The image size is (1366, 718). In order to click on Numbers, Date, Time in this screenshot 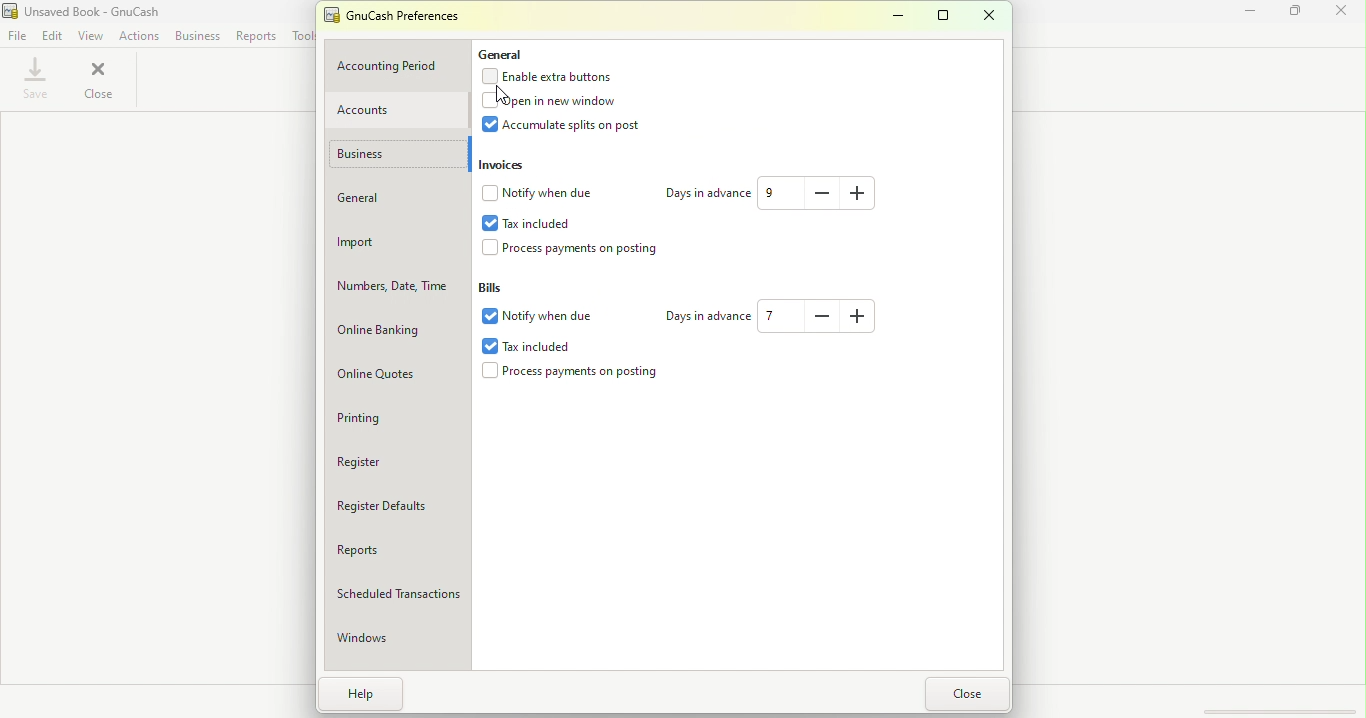, I will do `click(397, 286)`.